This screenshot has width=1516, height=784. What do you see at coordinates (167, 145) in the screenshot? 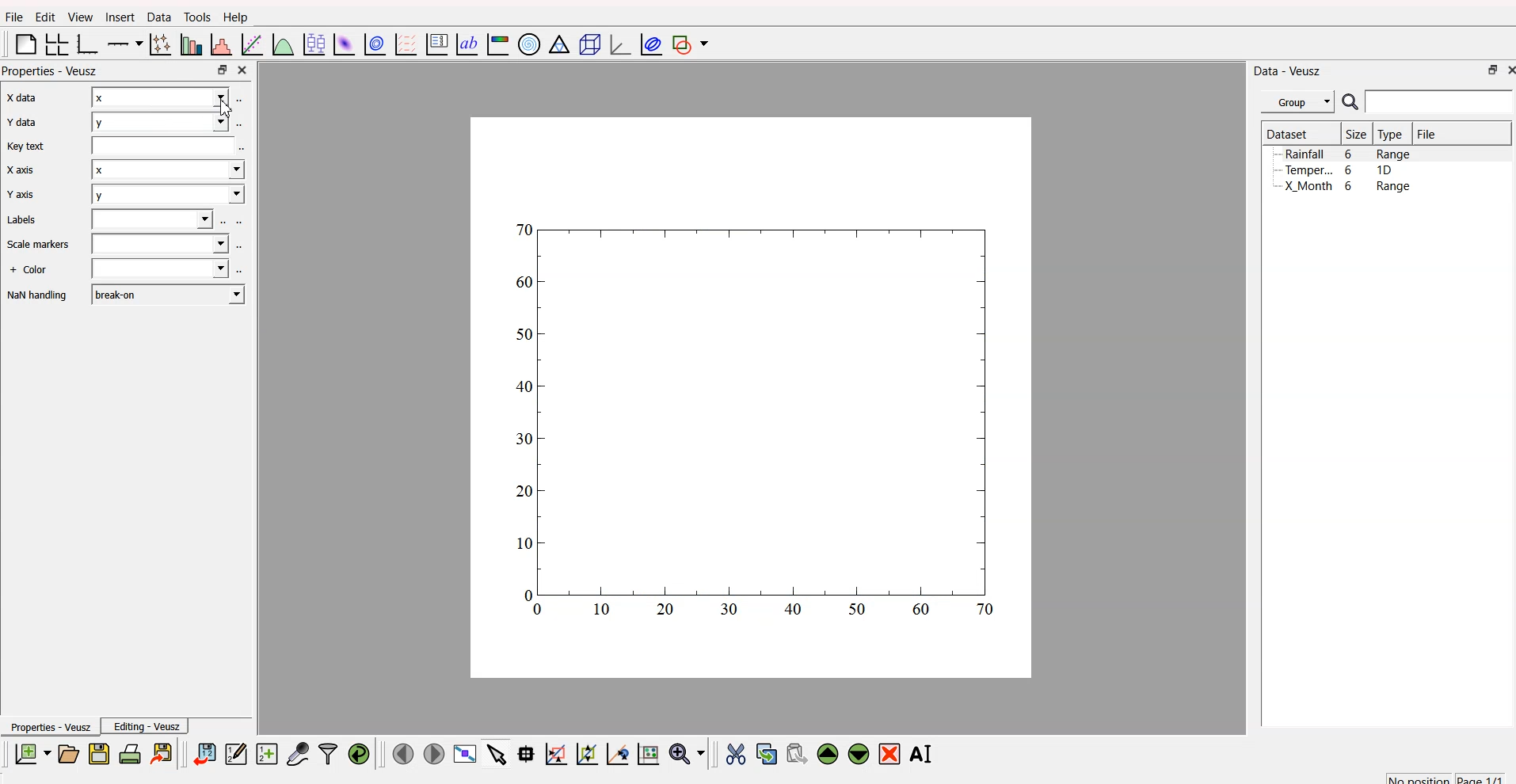
I see `field` at bounding box center [167, 145].